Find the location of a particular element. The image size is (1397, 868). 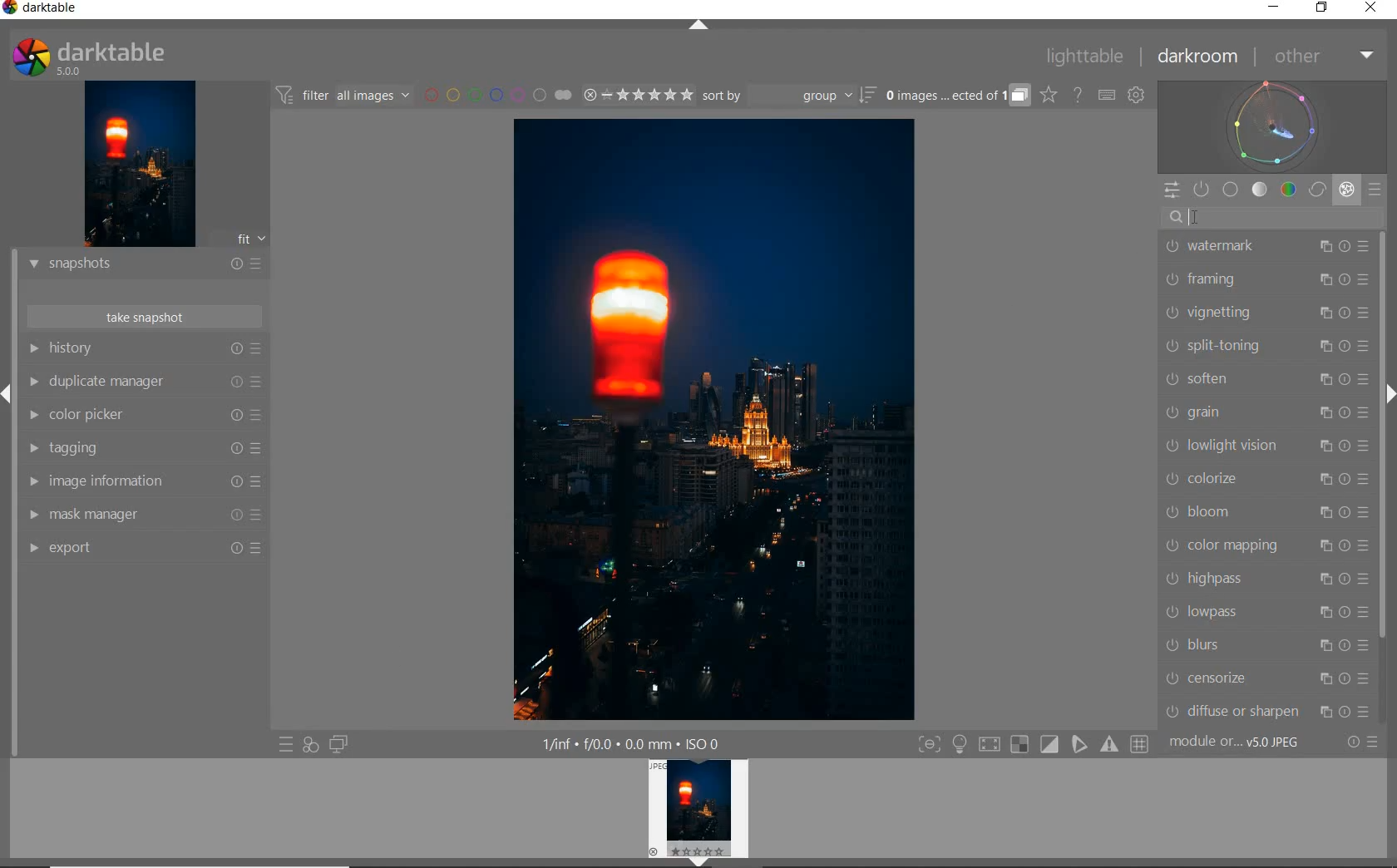

TONE is located at coordinates (1260, 190).